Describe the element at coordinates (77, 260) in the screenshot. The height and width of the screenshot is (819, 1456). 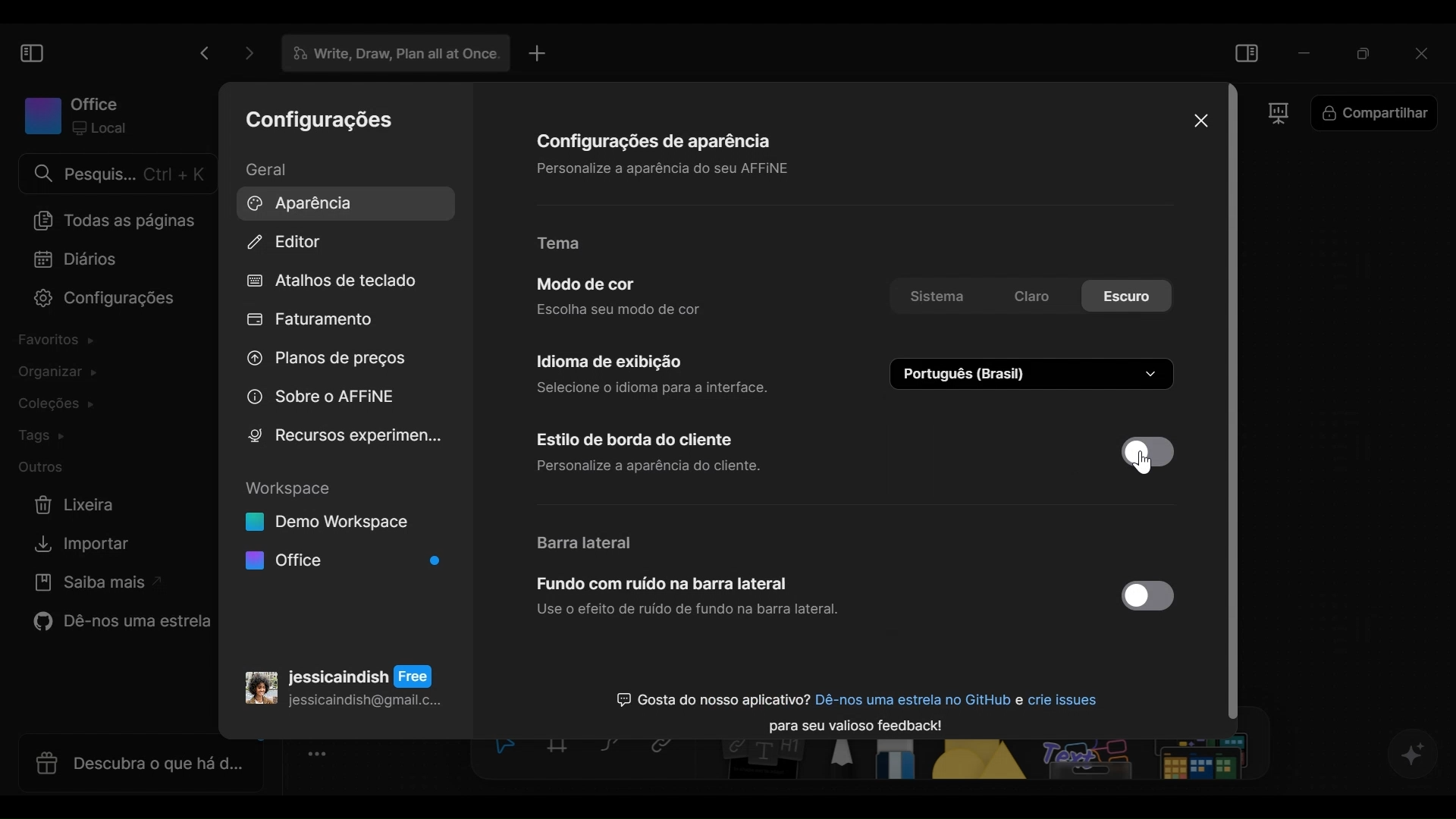
I see `Journal` at that location.